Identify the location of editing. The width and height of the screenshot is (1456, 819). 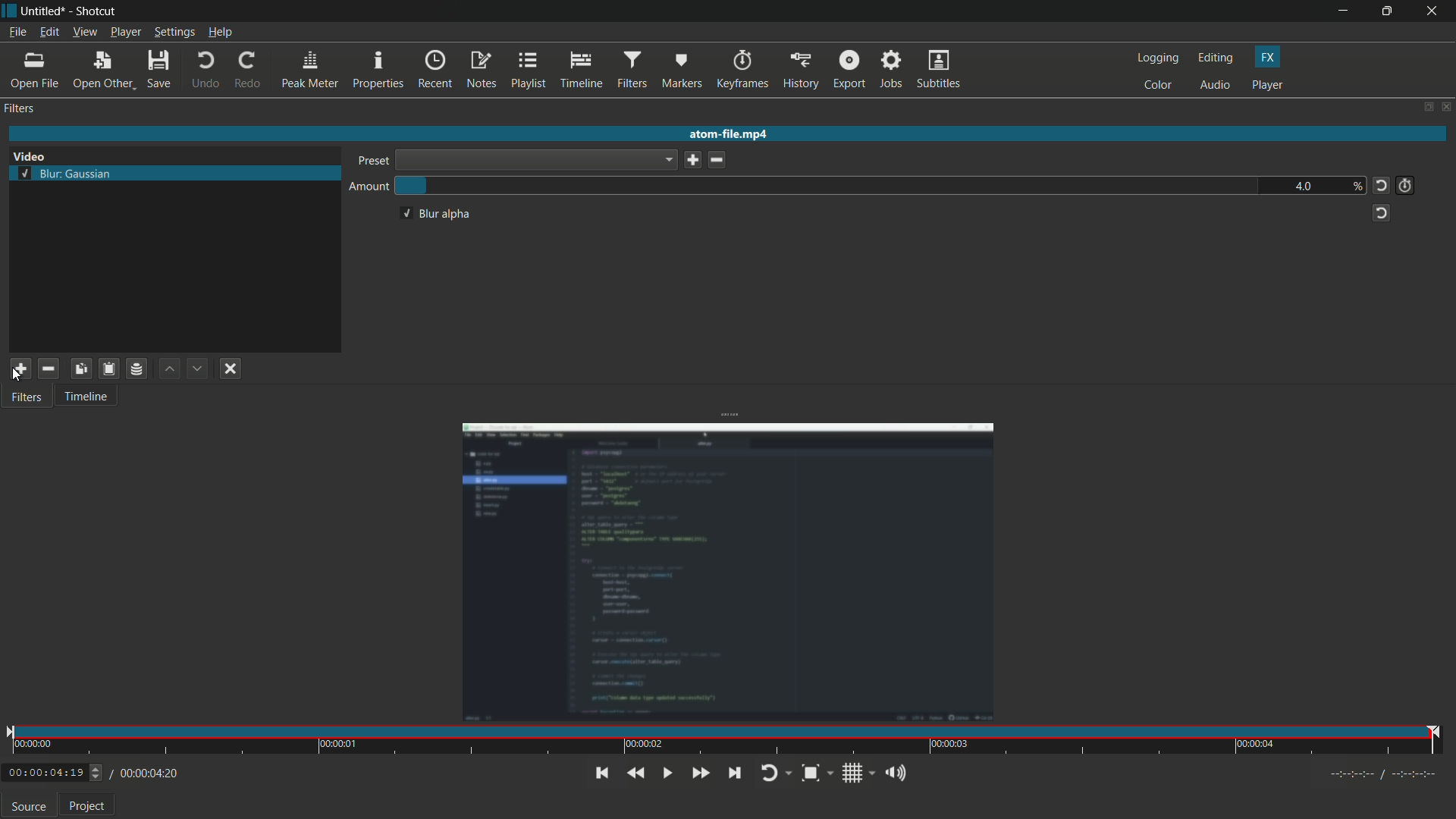
(1219, 58).